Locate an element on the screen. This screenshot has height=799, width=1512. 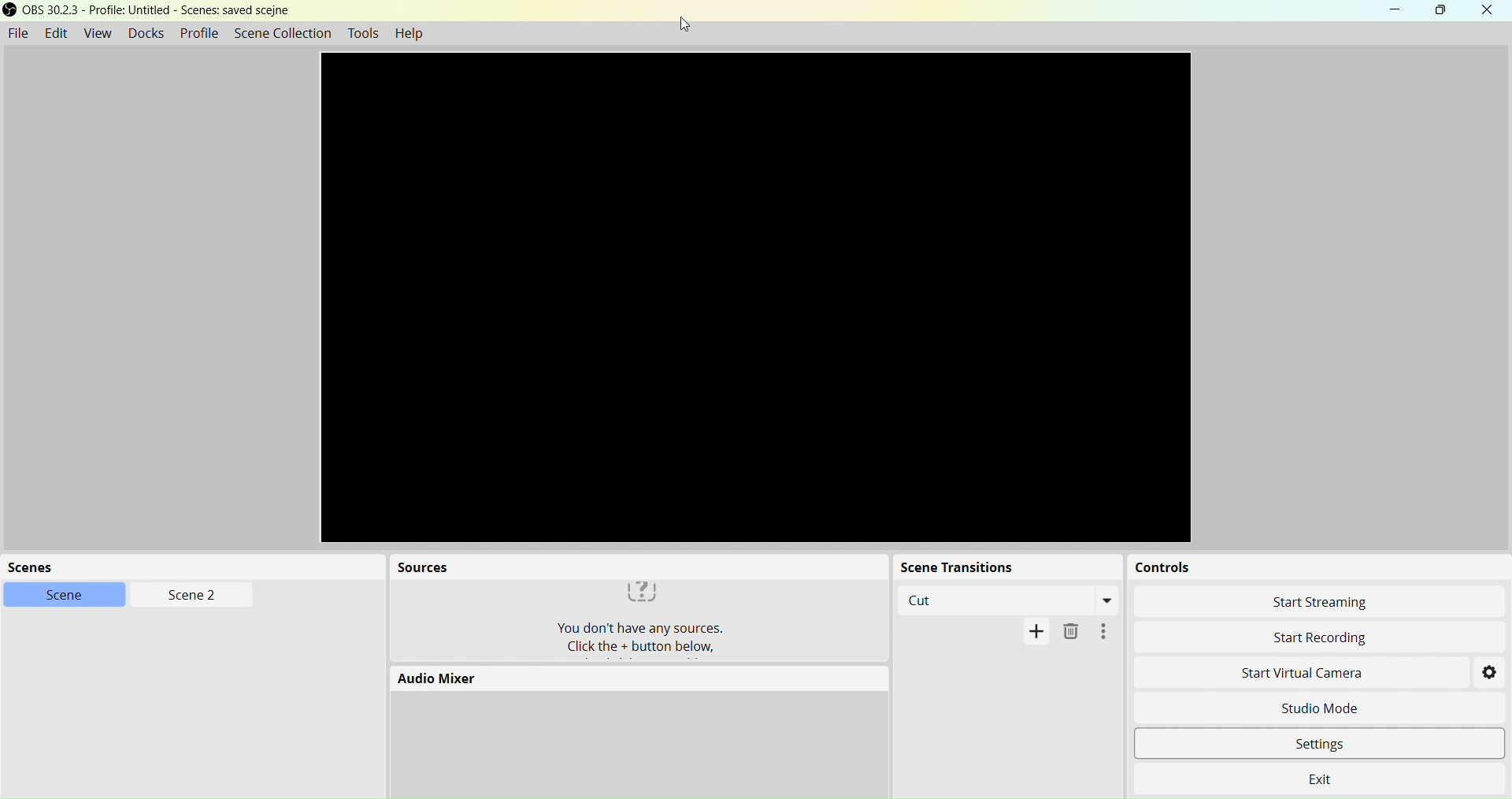
Start Recording is located at coordinates (1315, 637).